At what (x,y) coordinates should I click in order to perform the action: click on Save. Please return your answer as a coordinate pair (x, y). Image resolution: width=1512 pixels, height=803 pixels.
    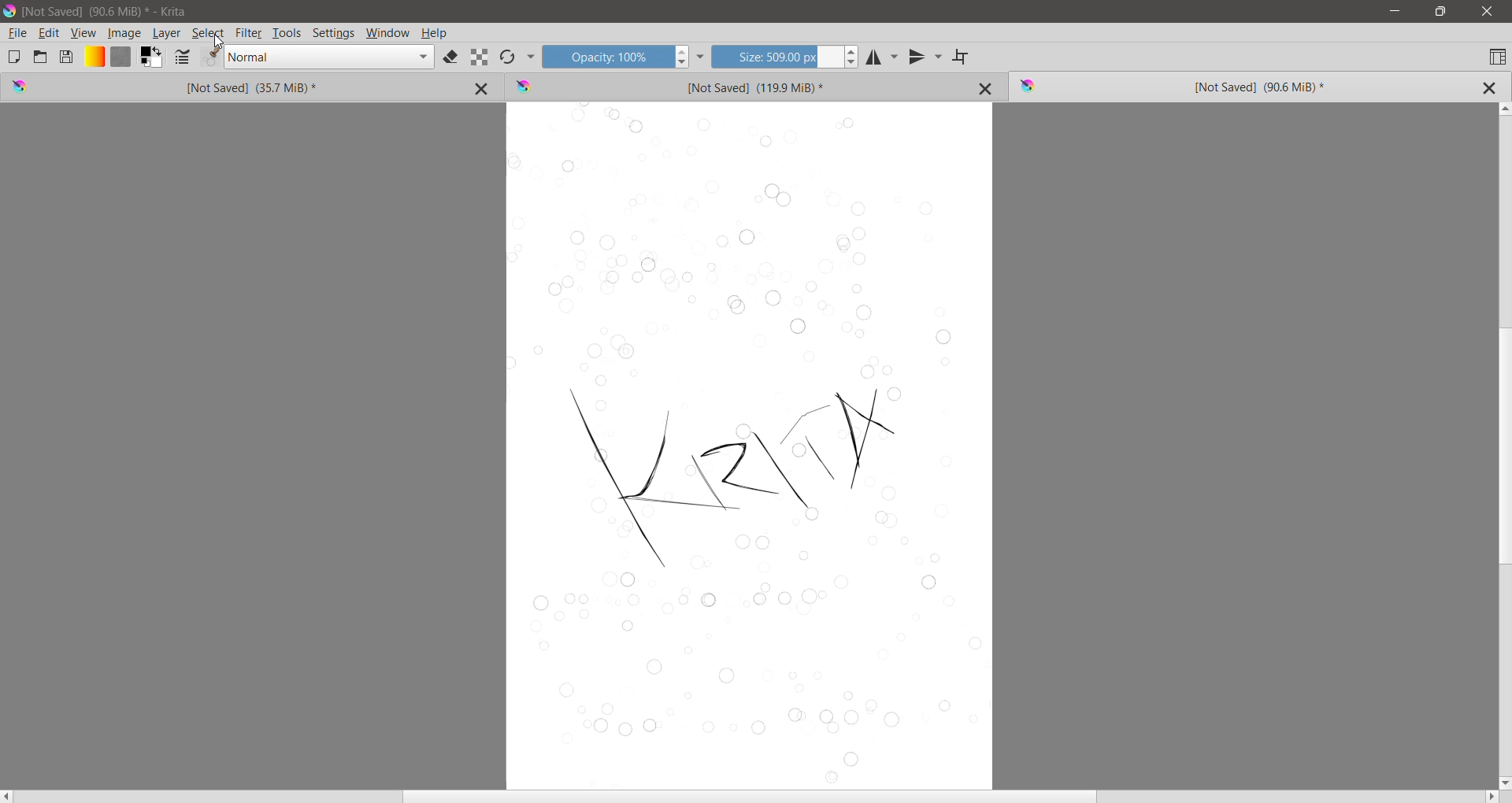
    Looking at the image, I should click on (67, 56).